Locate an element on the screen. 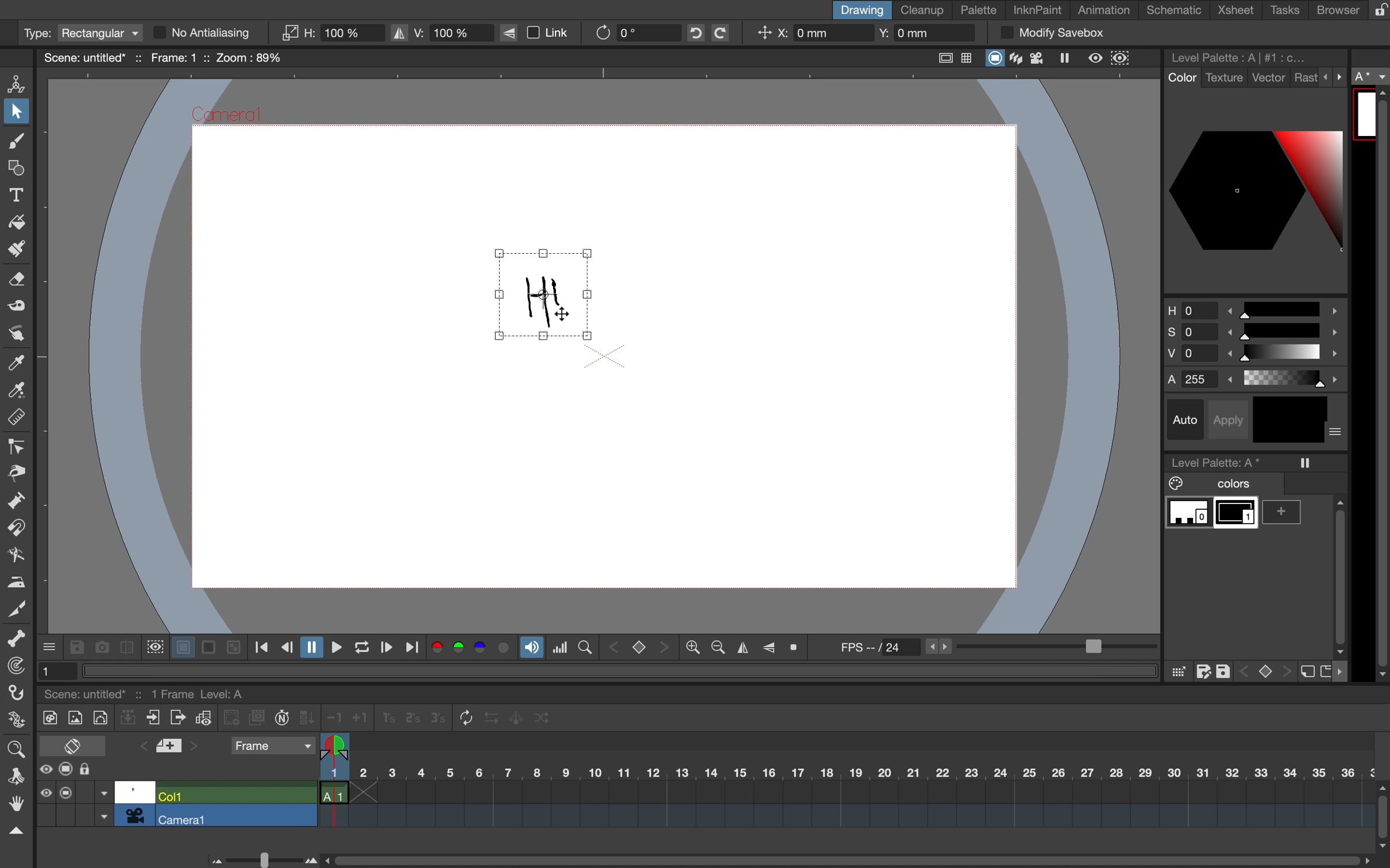 This screenshot has width=1390, height=868. level palette a is located at coordinates (1220, 460).